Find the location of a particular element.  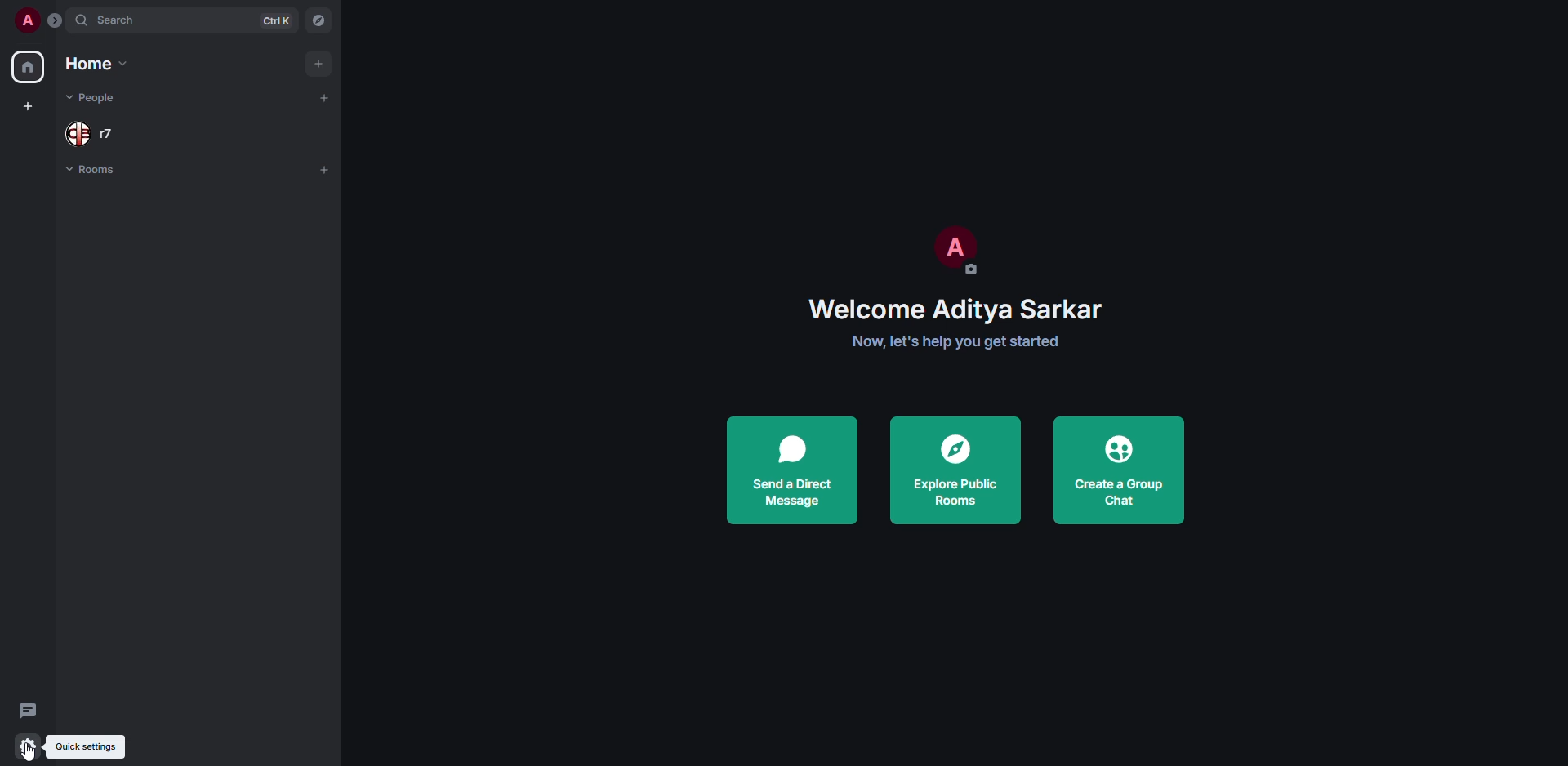

quick settings is located at coordinates (87, 747).